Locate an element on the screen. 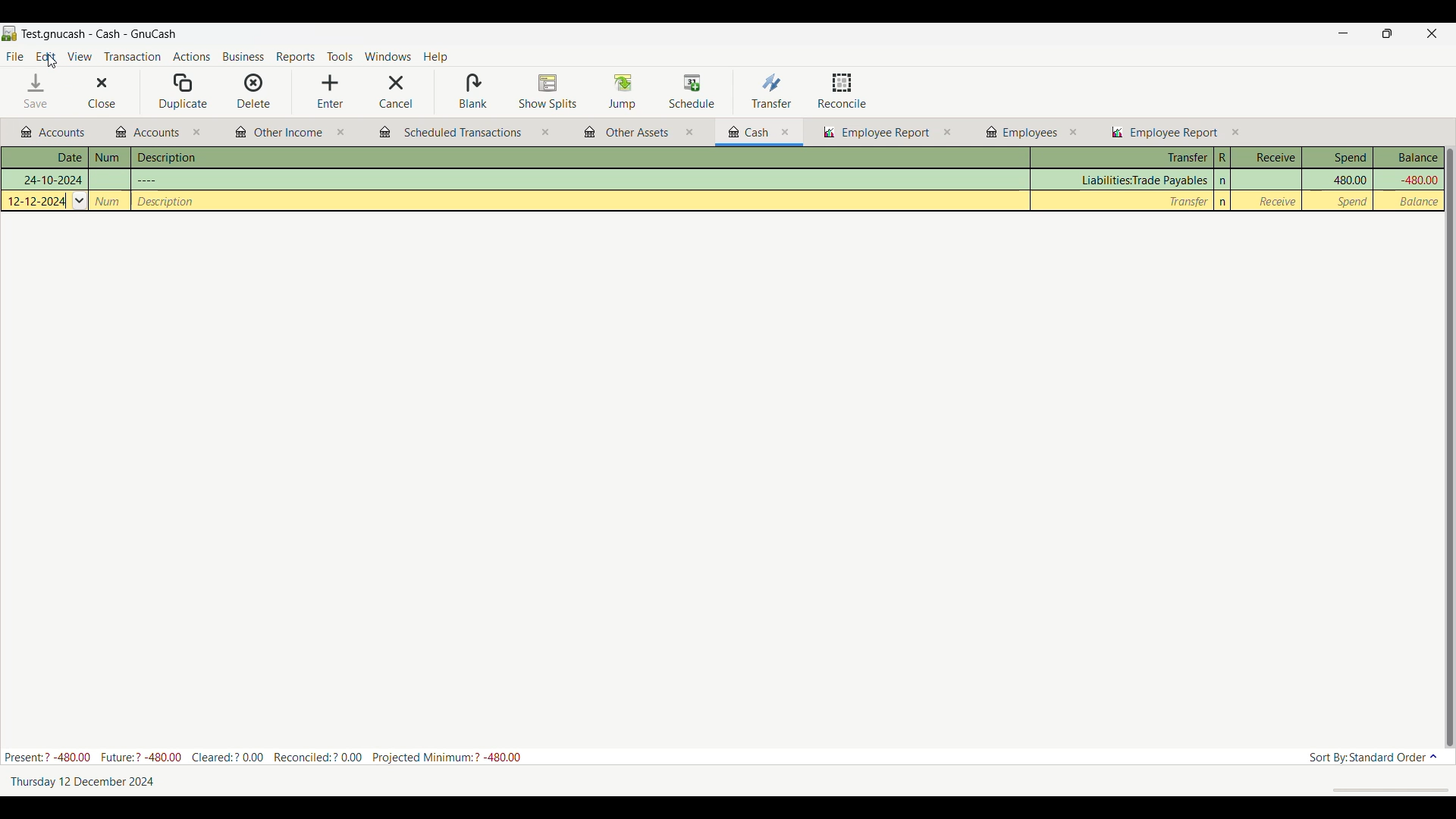  Transaction menu is located at coordinates (132, 57).